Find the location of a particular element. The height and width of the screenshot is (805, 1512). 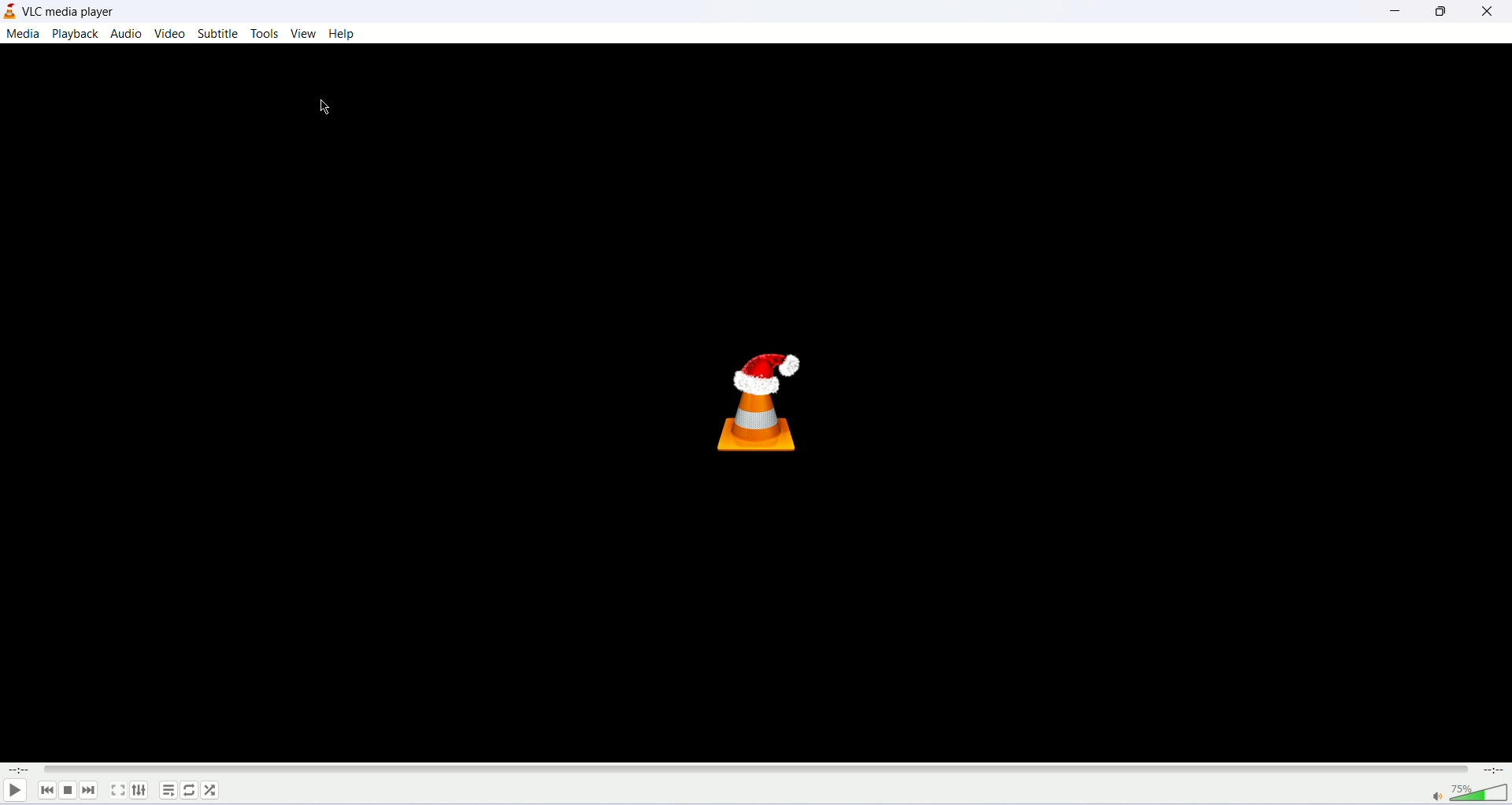

view is located at coordinates (303, 34).